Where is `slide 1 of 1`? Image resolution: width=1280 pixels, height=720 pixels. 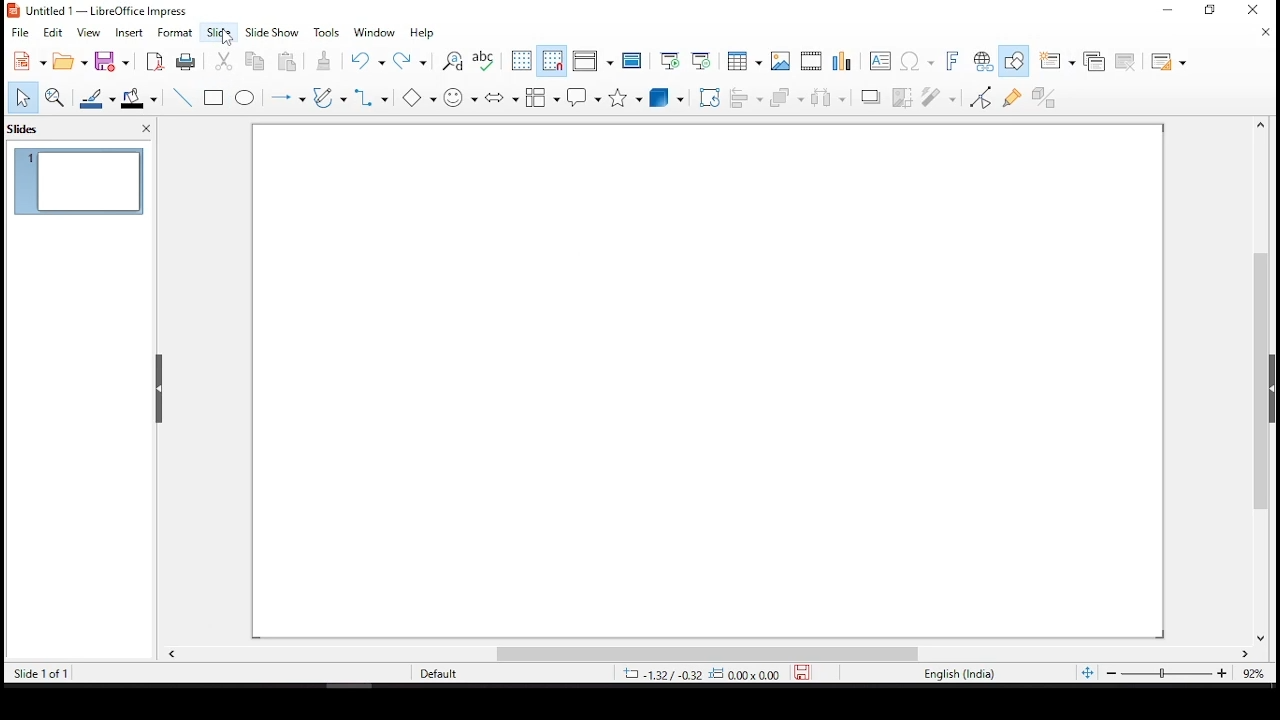
slide 1 of 1 is located at coordinates (45, 673).